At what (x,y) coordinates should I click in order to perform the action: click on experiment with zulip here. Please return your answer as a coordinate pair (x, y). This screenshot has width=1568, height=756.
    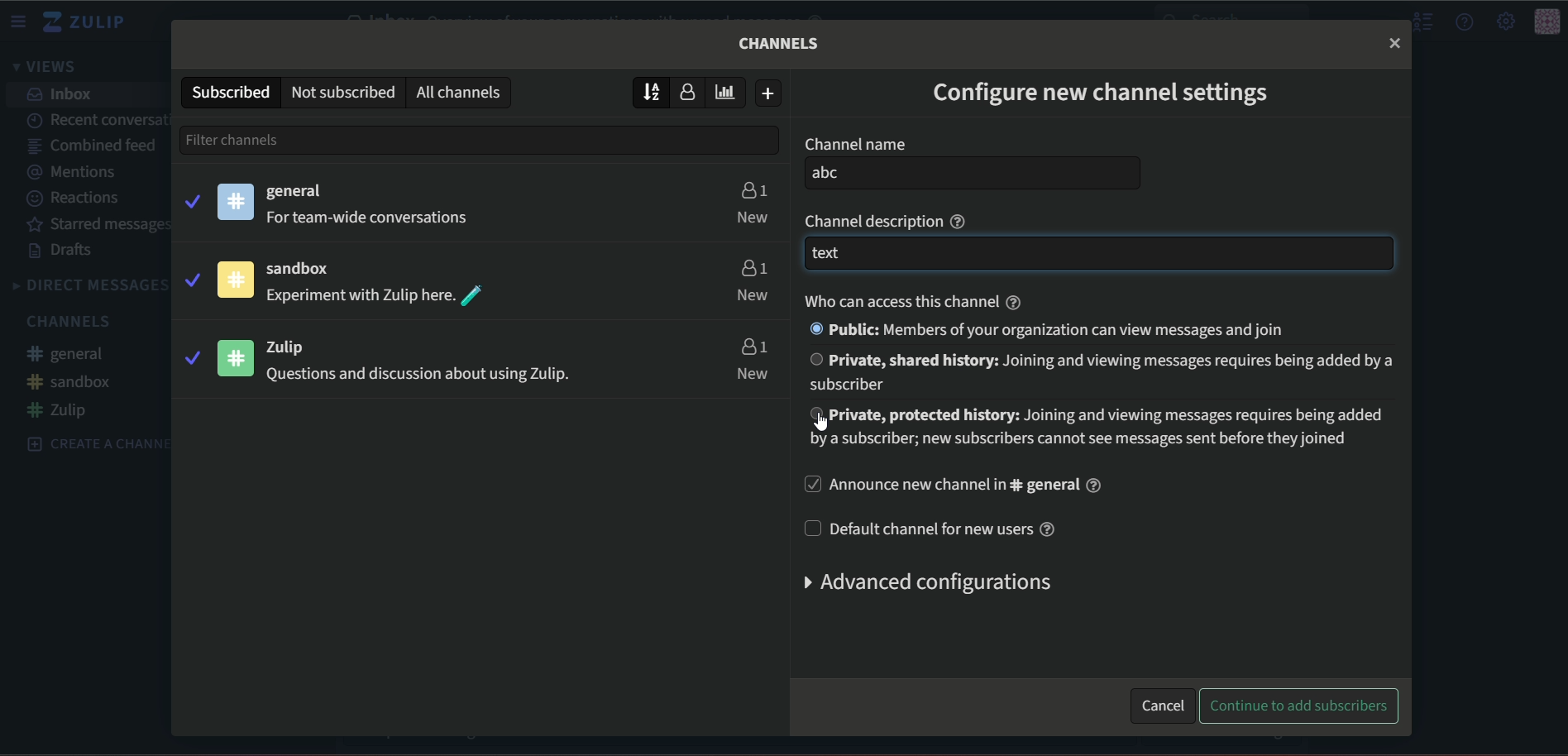
    Looking at the image, I should click on (377, 296).